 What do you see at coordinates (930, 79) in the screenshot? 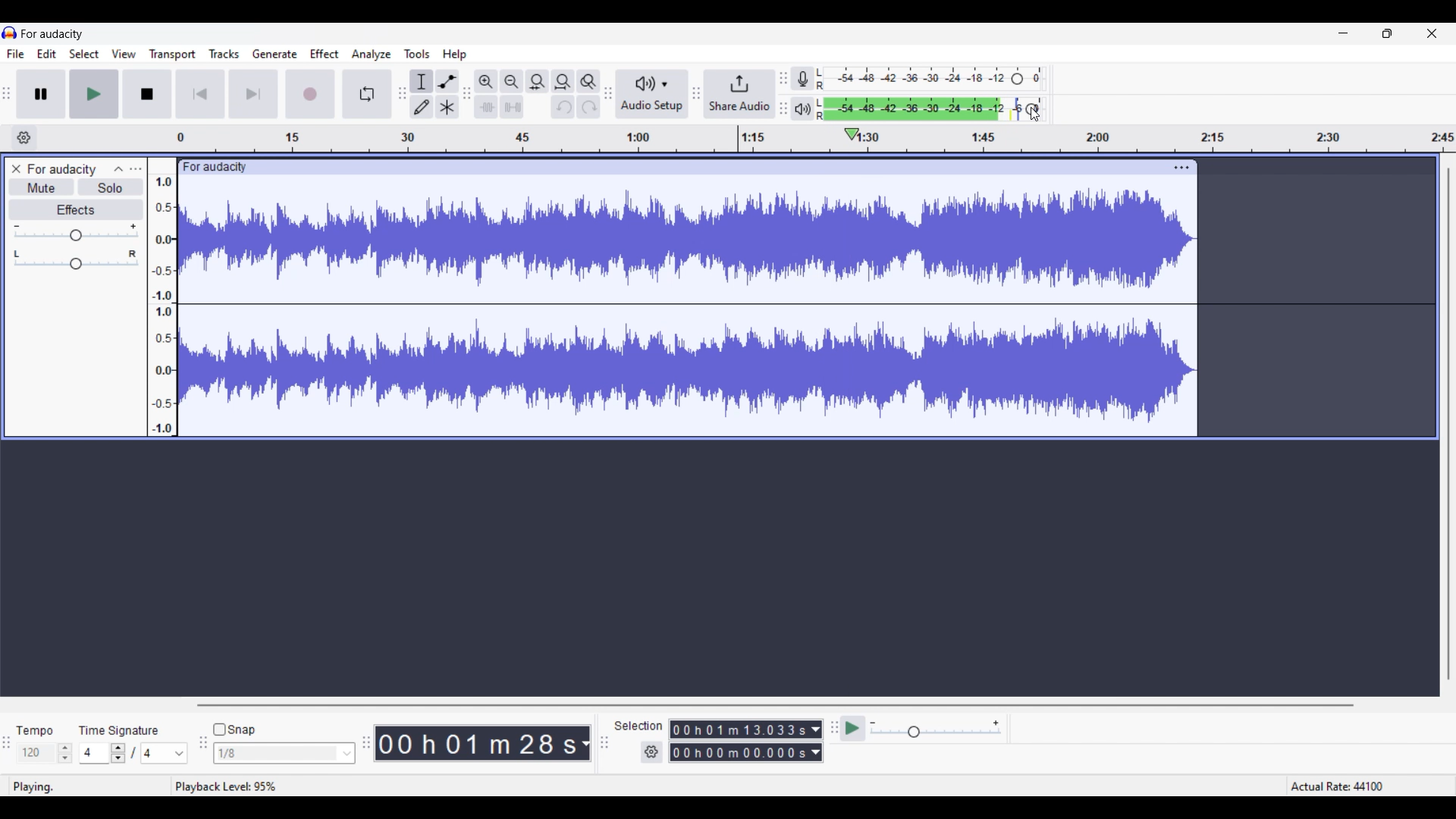
I see `Recording level` at bounding box center [930, 79].